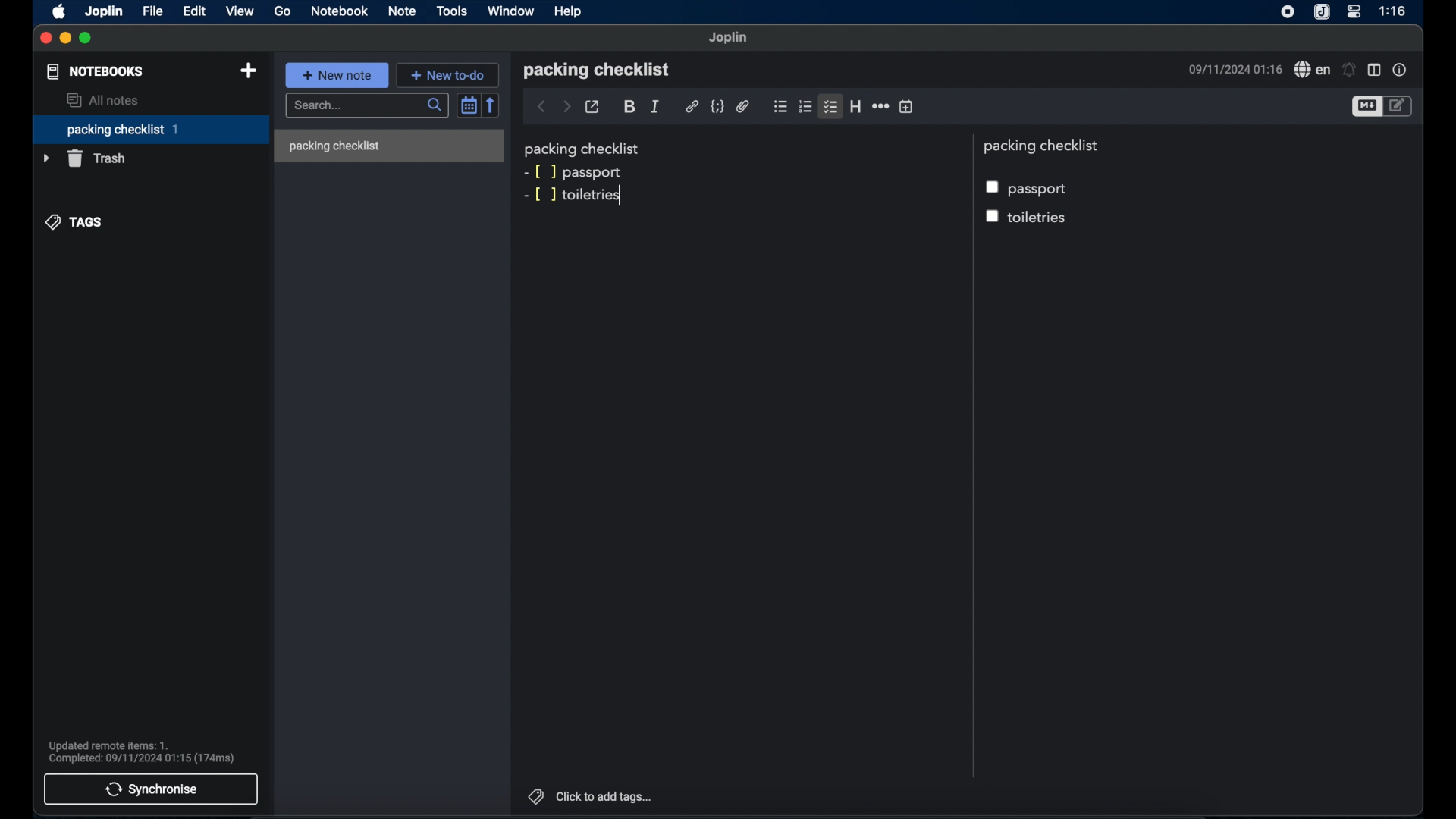 The image size is (1456, 819). I want to click on checklist, so click(832, 108).